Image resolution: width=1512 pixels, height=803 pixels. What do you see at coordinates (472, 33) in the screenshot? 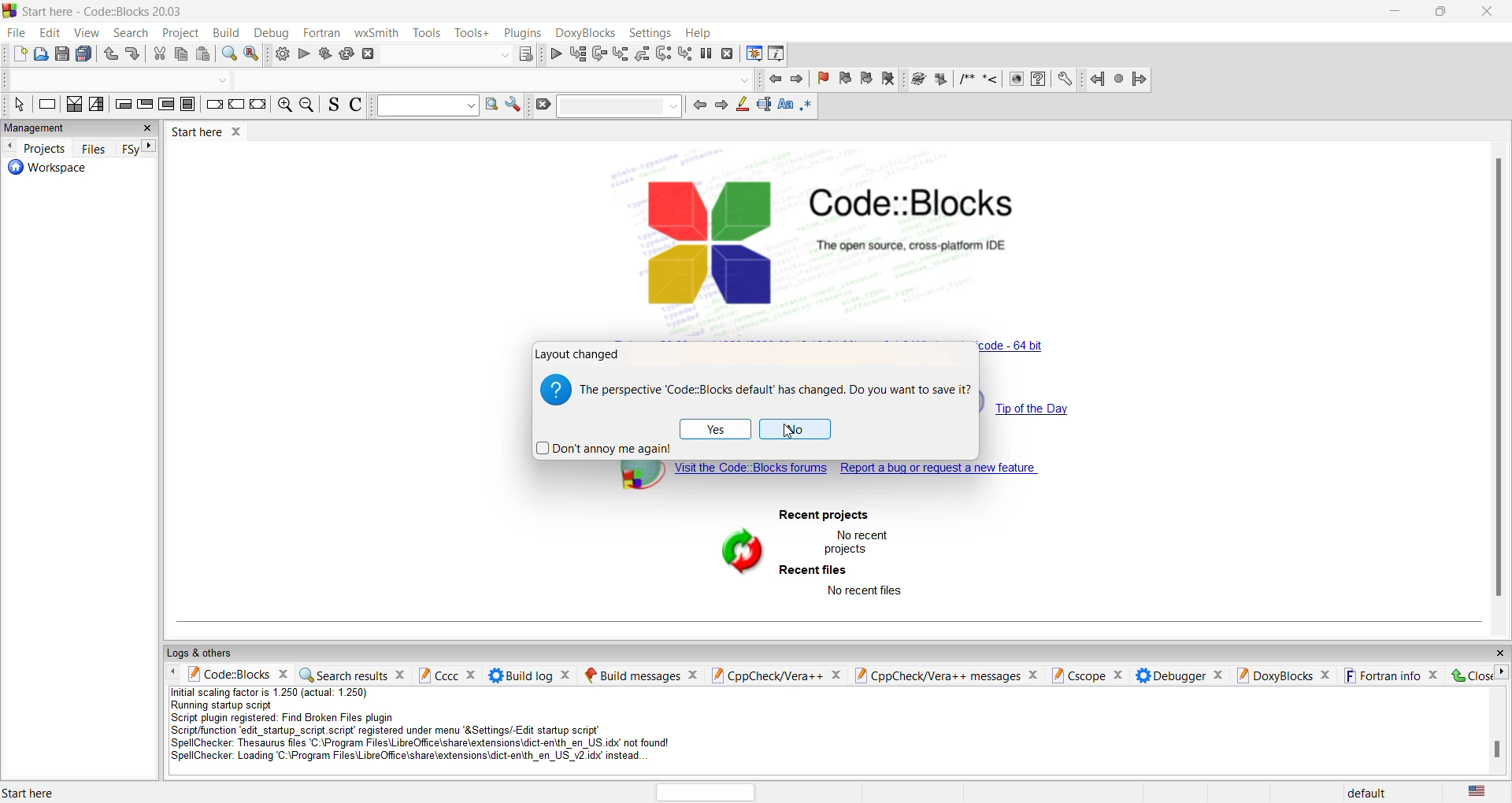
I see `tools +` at bounding box center [472, 33].